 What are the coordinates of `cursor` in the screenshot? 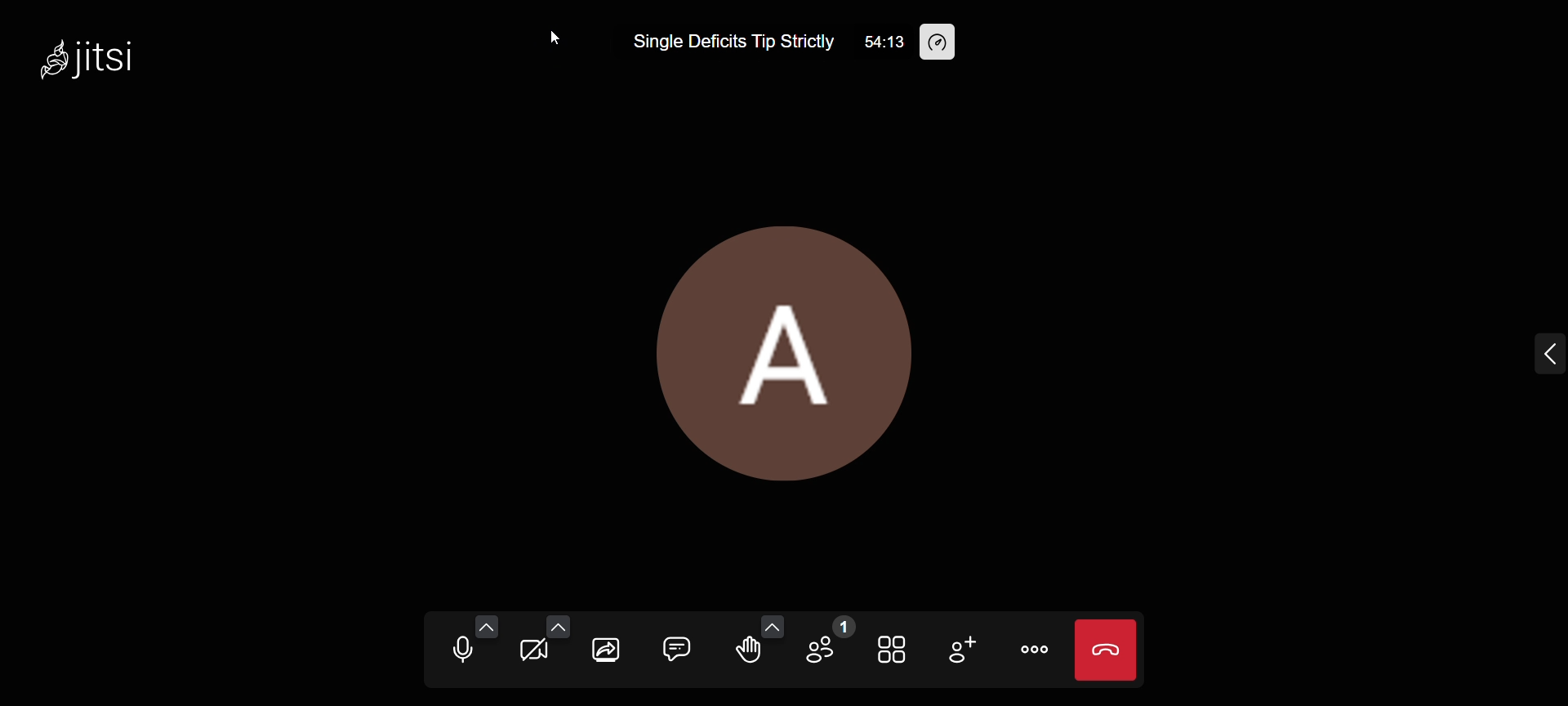 It's located at (551, 38).